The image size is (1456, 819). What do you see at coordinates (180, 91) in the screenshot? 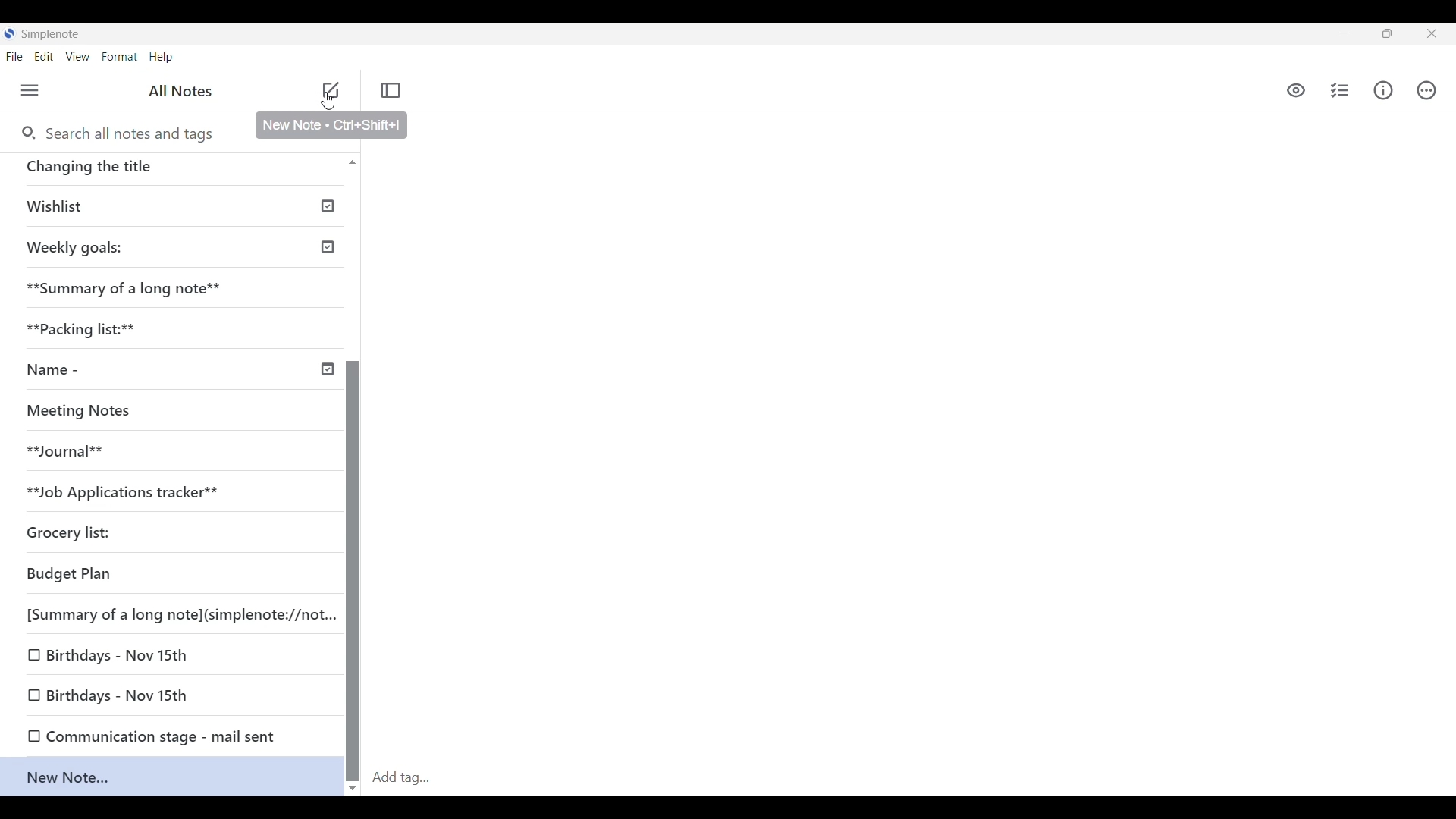
I see `All notes` at bounding box center [180, 91].